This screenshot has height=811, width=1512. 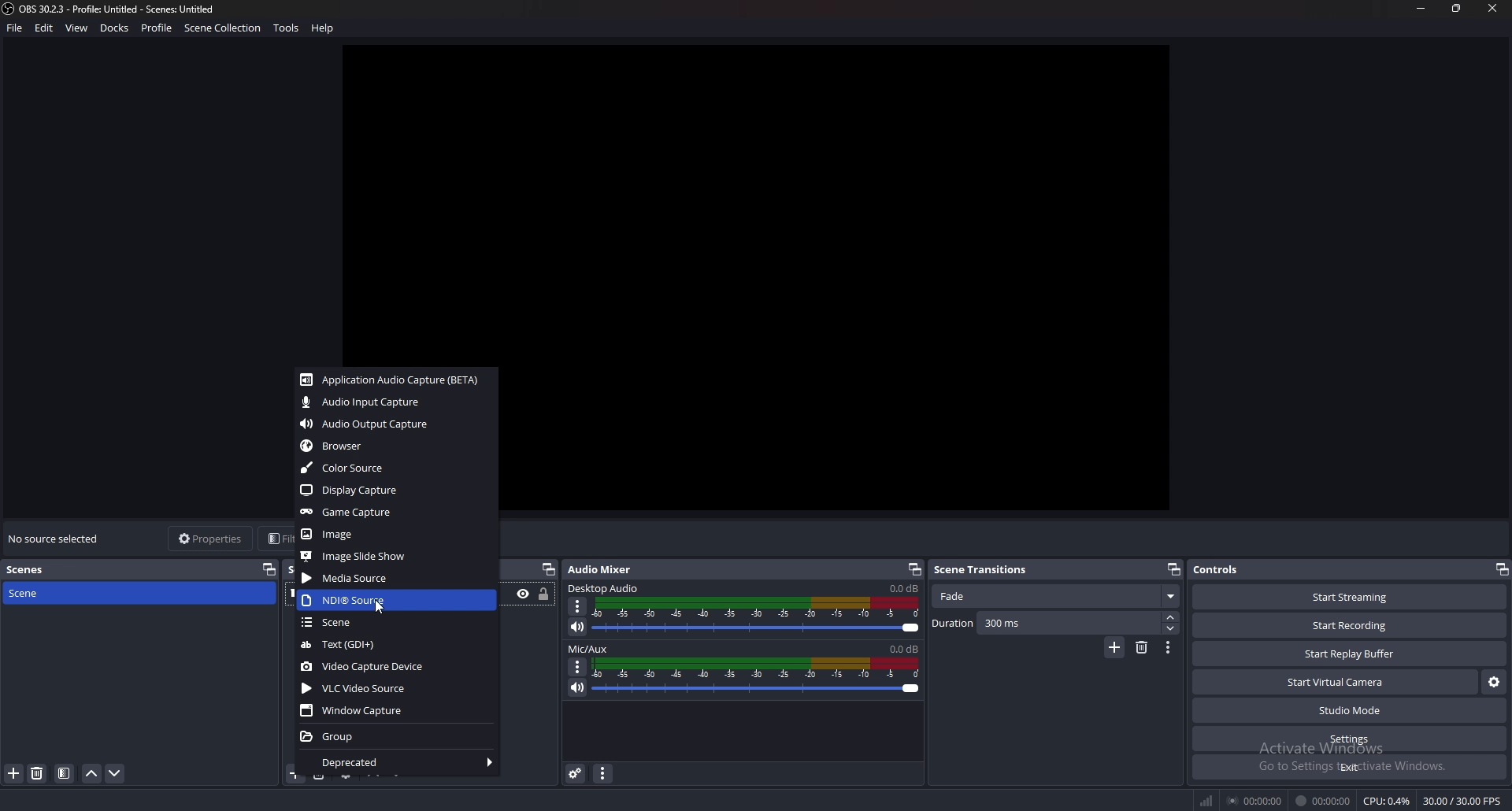 What do you see at coordinates (1046, 622) in the screenshot?
I see `duration` at bounding box center [1046, 622].